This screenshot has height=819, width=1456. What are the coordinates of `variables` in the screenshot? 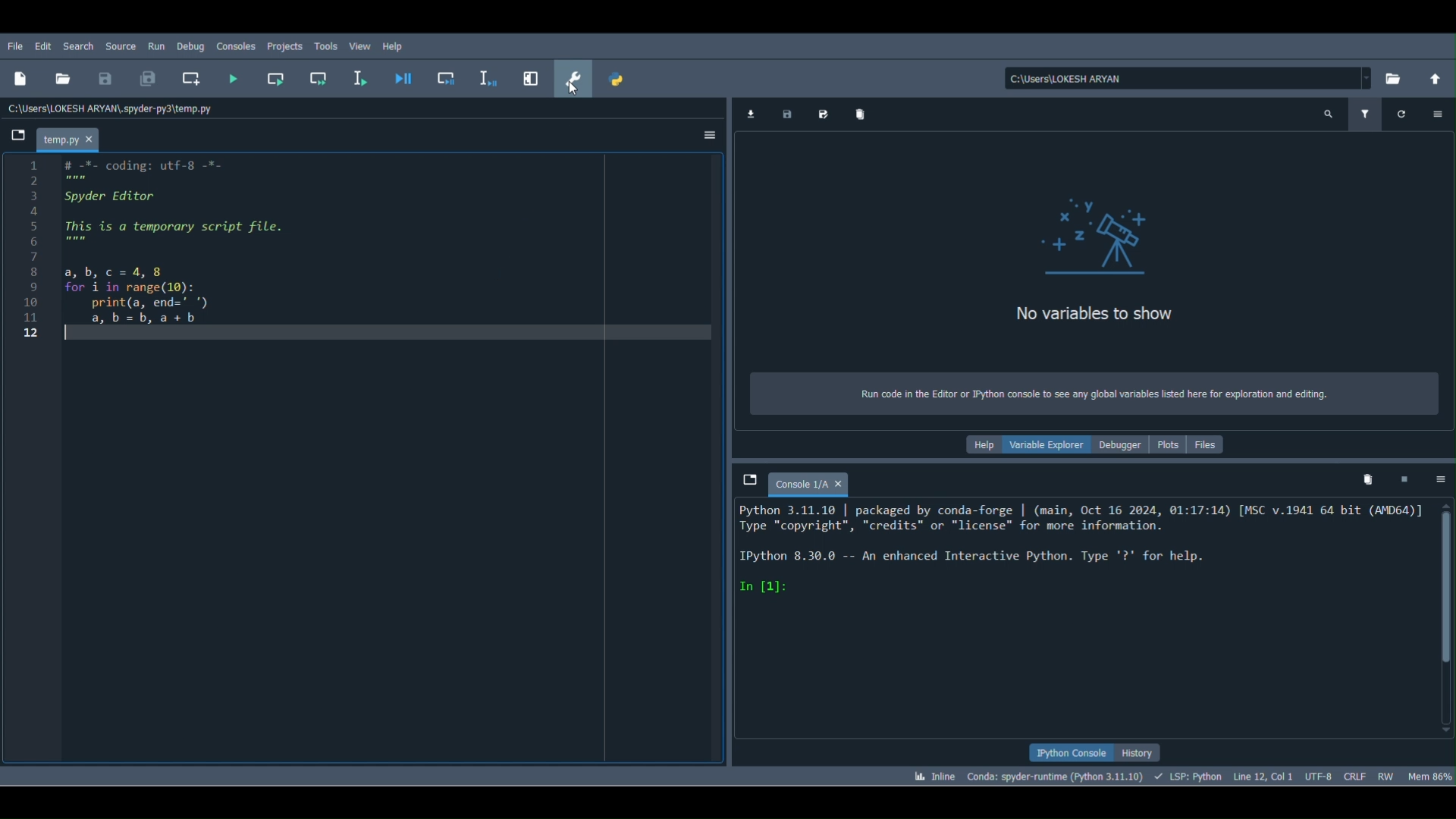 It's located at (1088, 247).